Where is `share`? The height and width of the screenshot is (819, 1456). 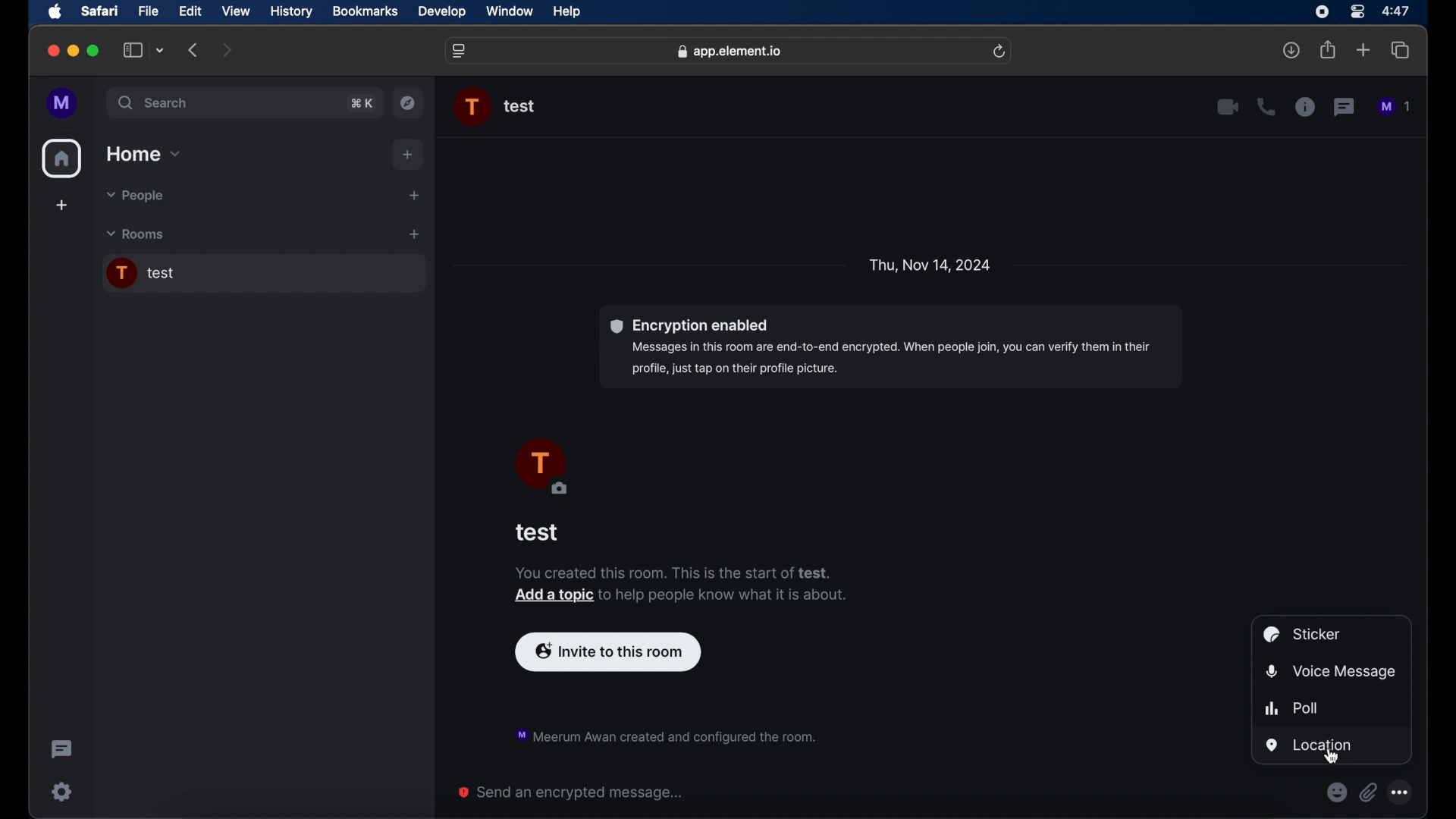 share is located at coordinates (1327, 50).